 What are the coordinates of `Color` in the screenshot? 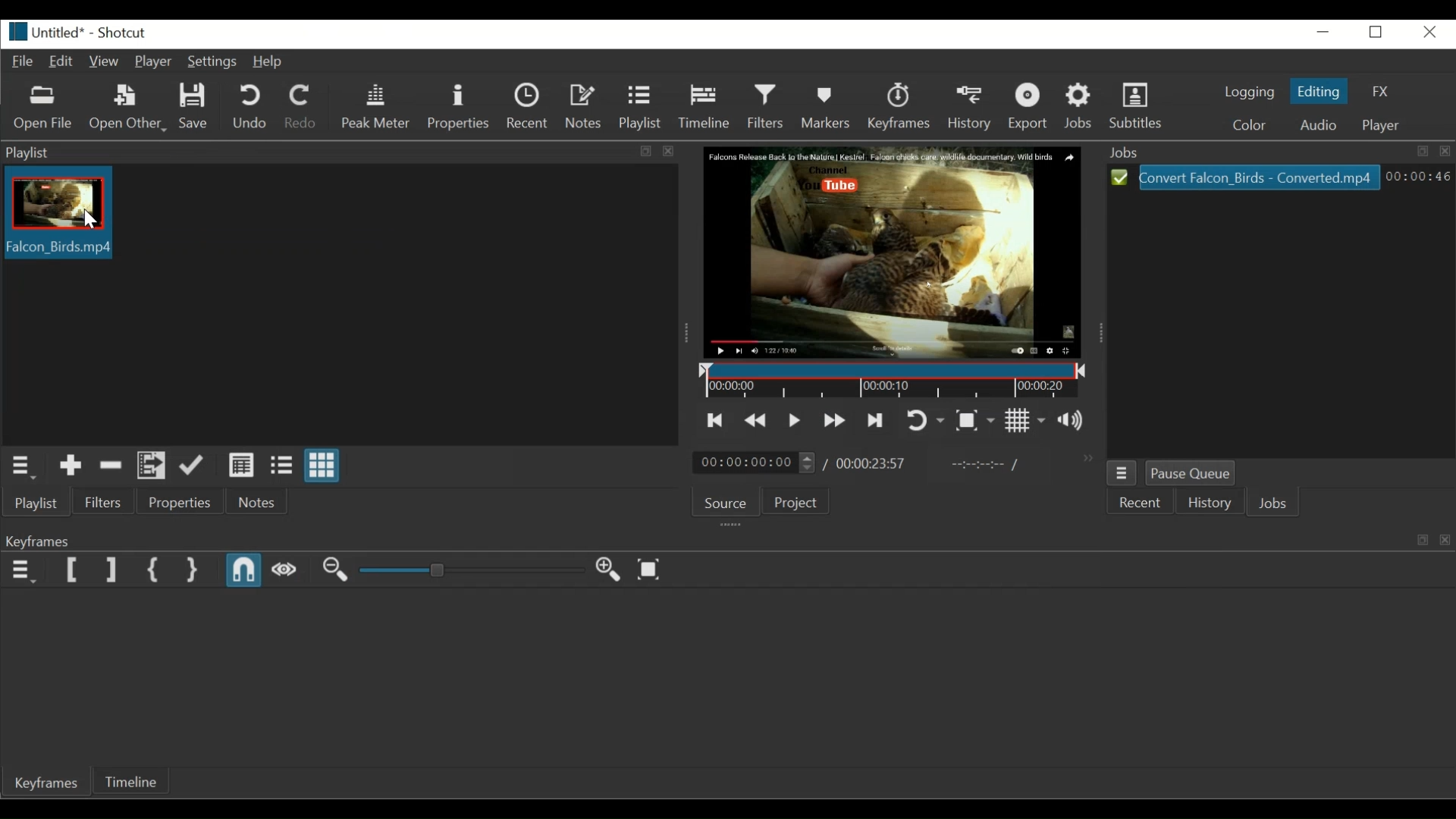 It's located at (1244, 126).